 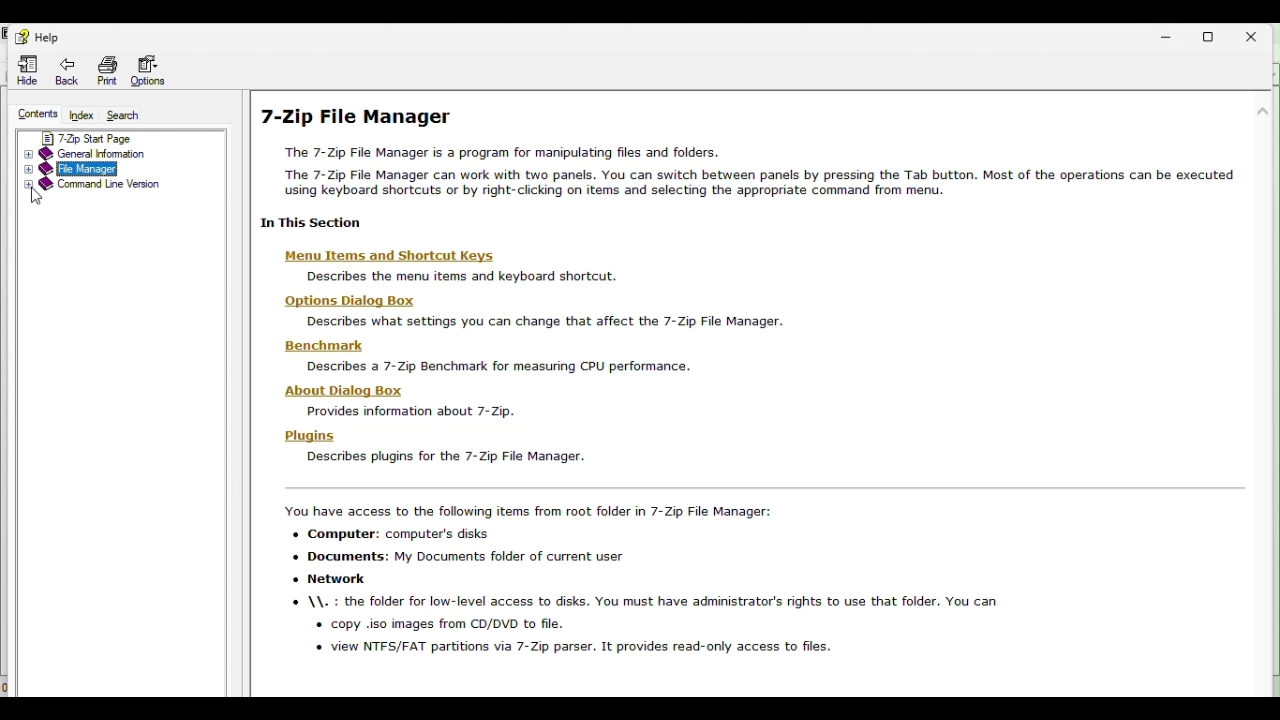 What do you see at coordinates (123, 114) in the screenshot?
I see `Search` at bounding box center [123, 114].